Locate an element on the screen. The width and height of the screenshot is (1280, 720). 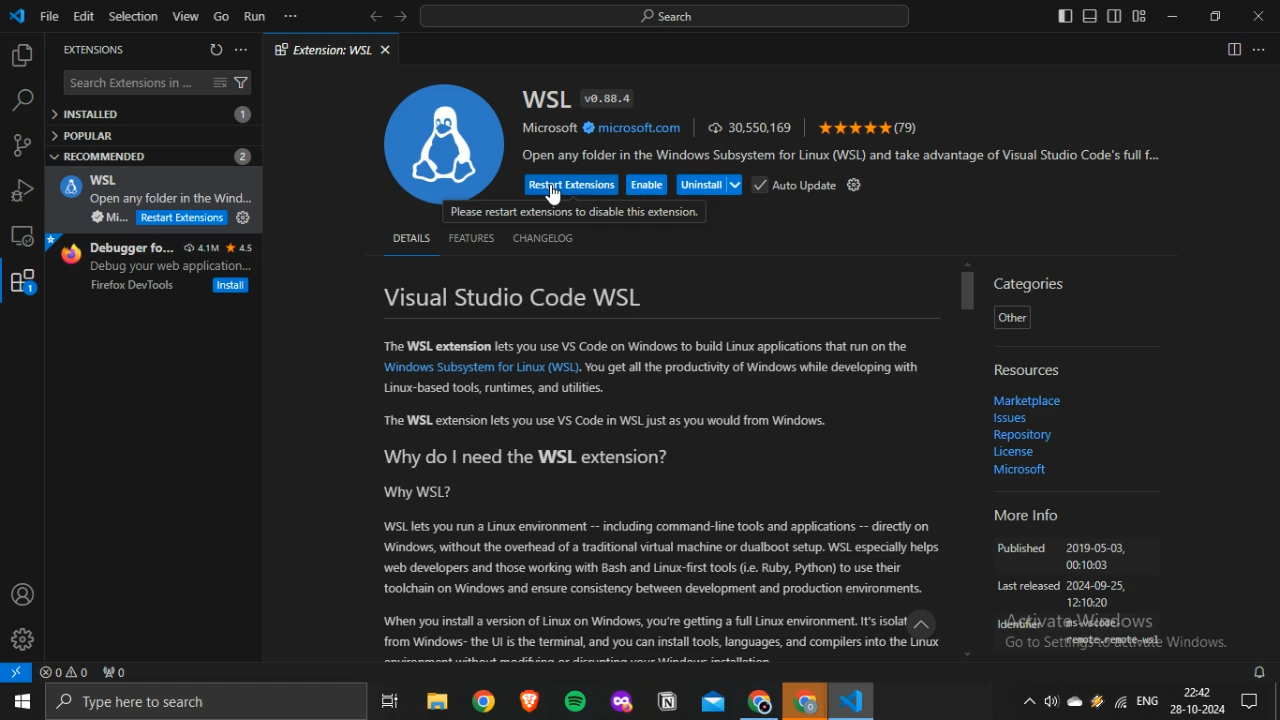
INSTALLED is located at coordinates (151, 114).